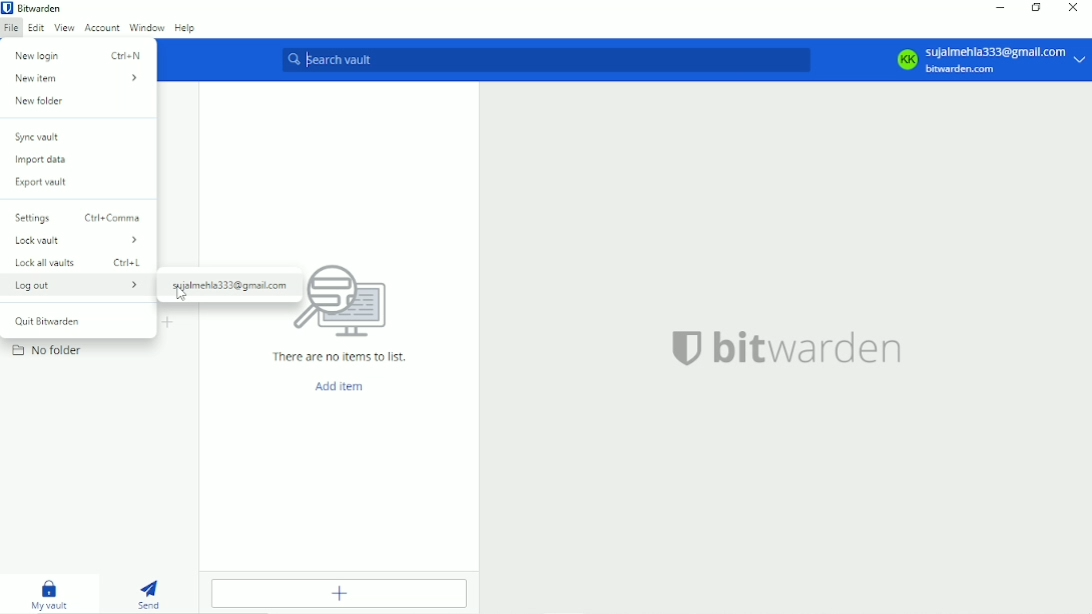  Describe the element at coordinates (810, 348) in the screenshot. I see `bitwarden` at that location.